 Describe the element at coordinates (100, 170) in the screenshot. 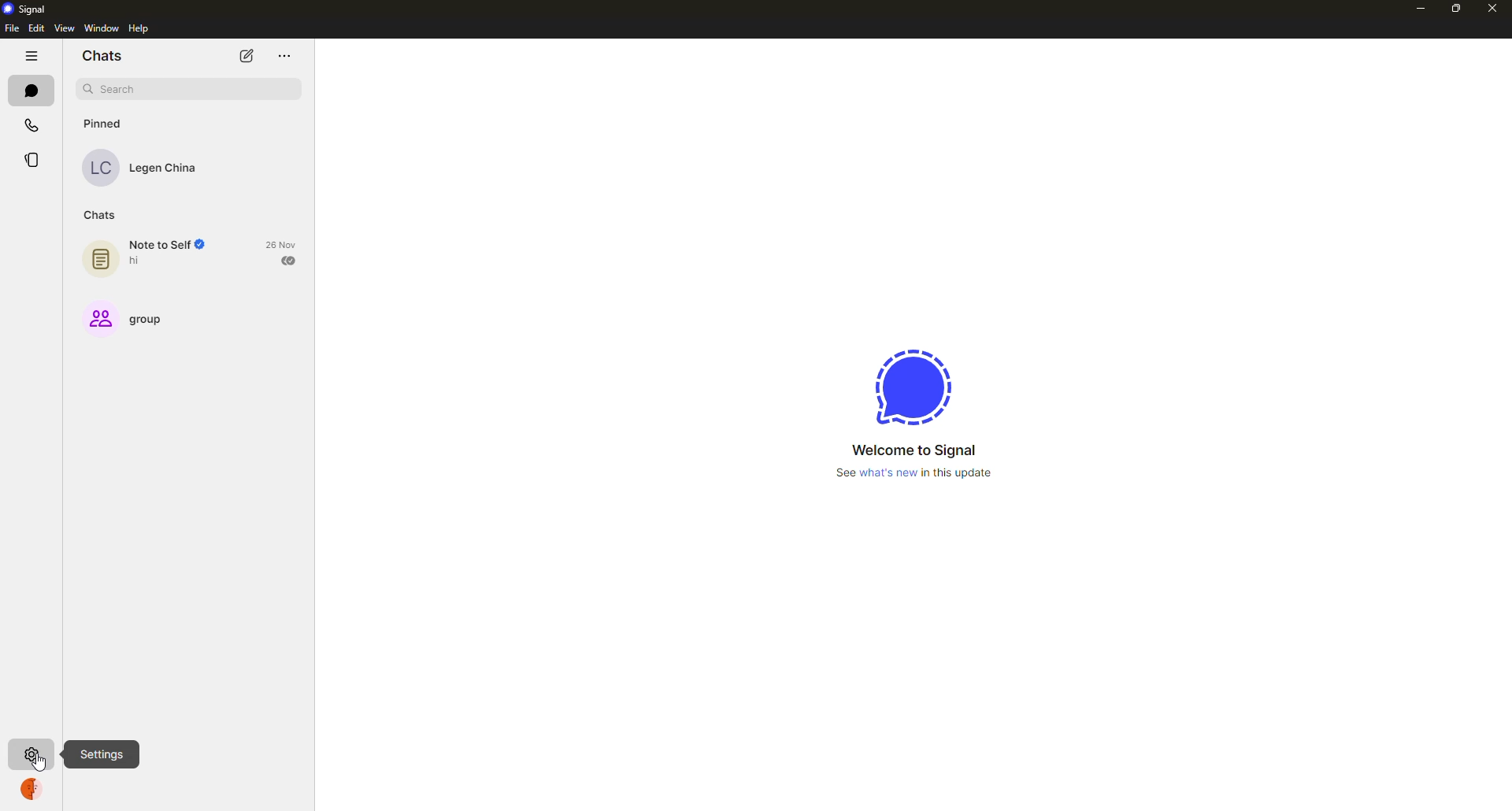

I see `LC` at that location.